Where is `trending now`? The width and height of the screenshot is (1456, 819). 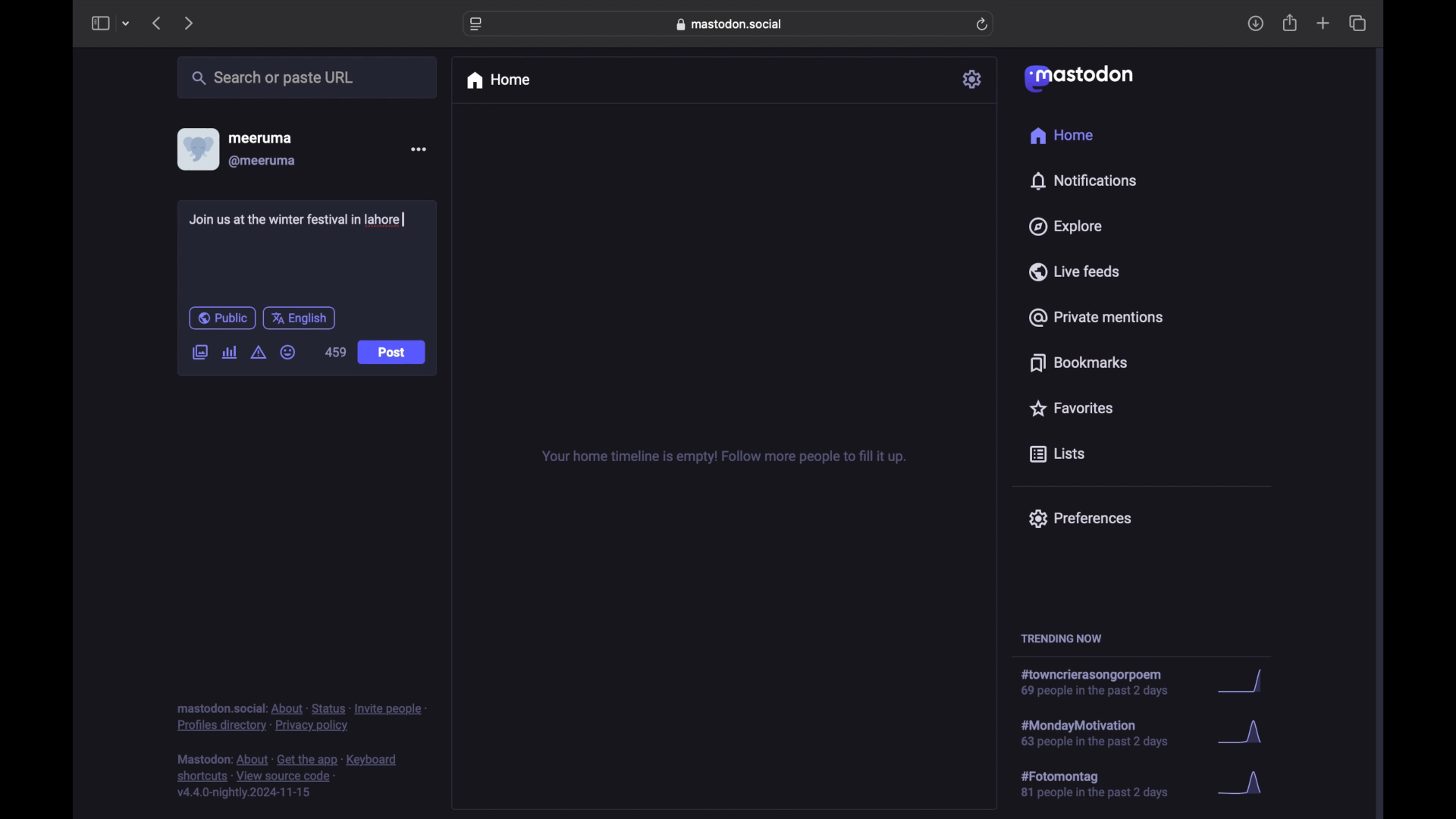 trending now is located at coordinates (1061, 639).